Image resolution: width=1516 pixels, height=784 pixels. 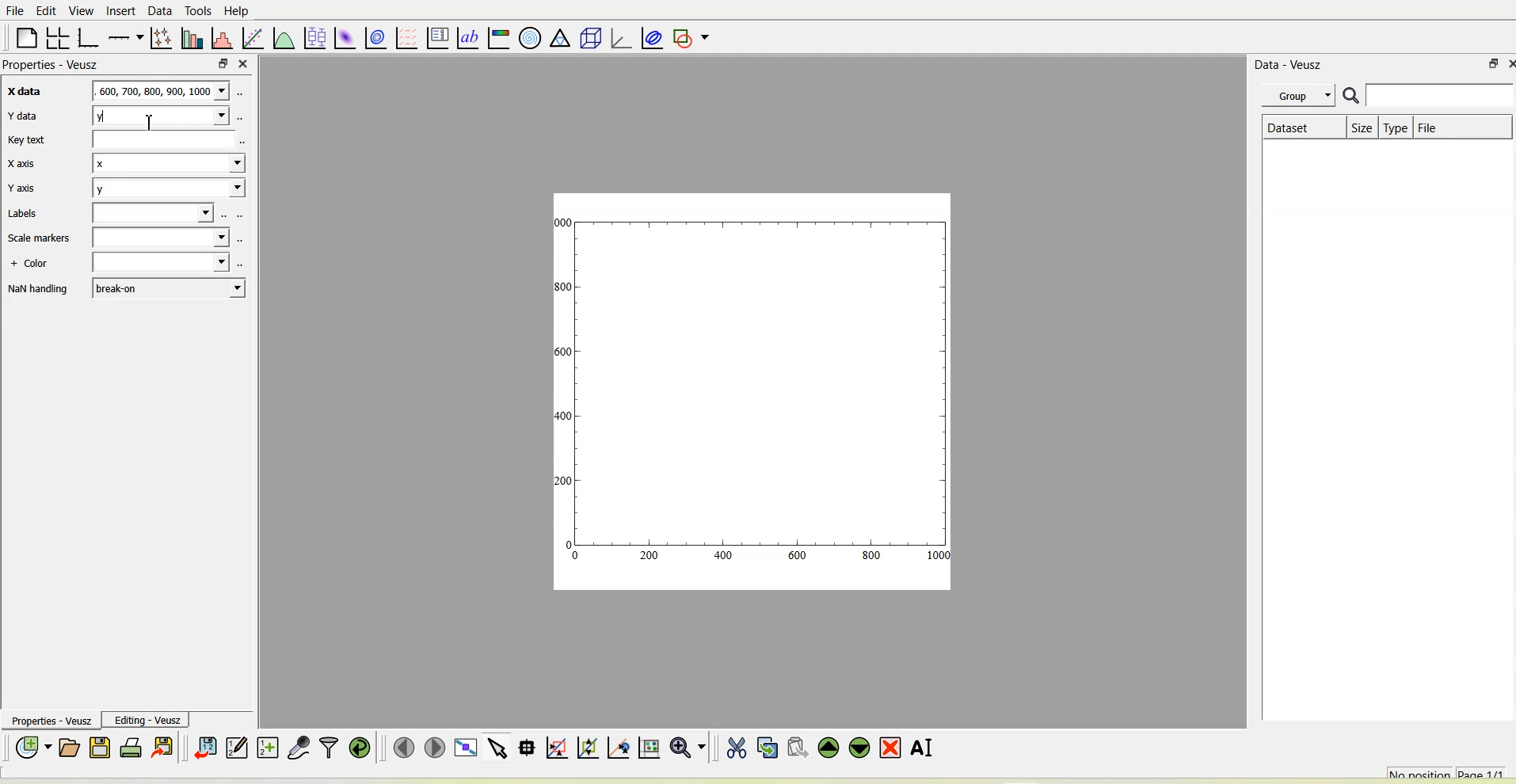 What do you see at coordinates (798, 748) in the screenshot?
I see `Paste widget from the clipboard` at bounding box center [798, 748].